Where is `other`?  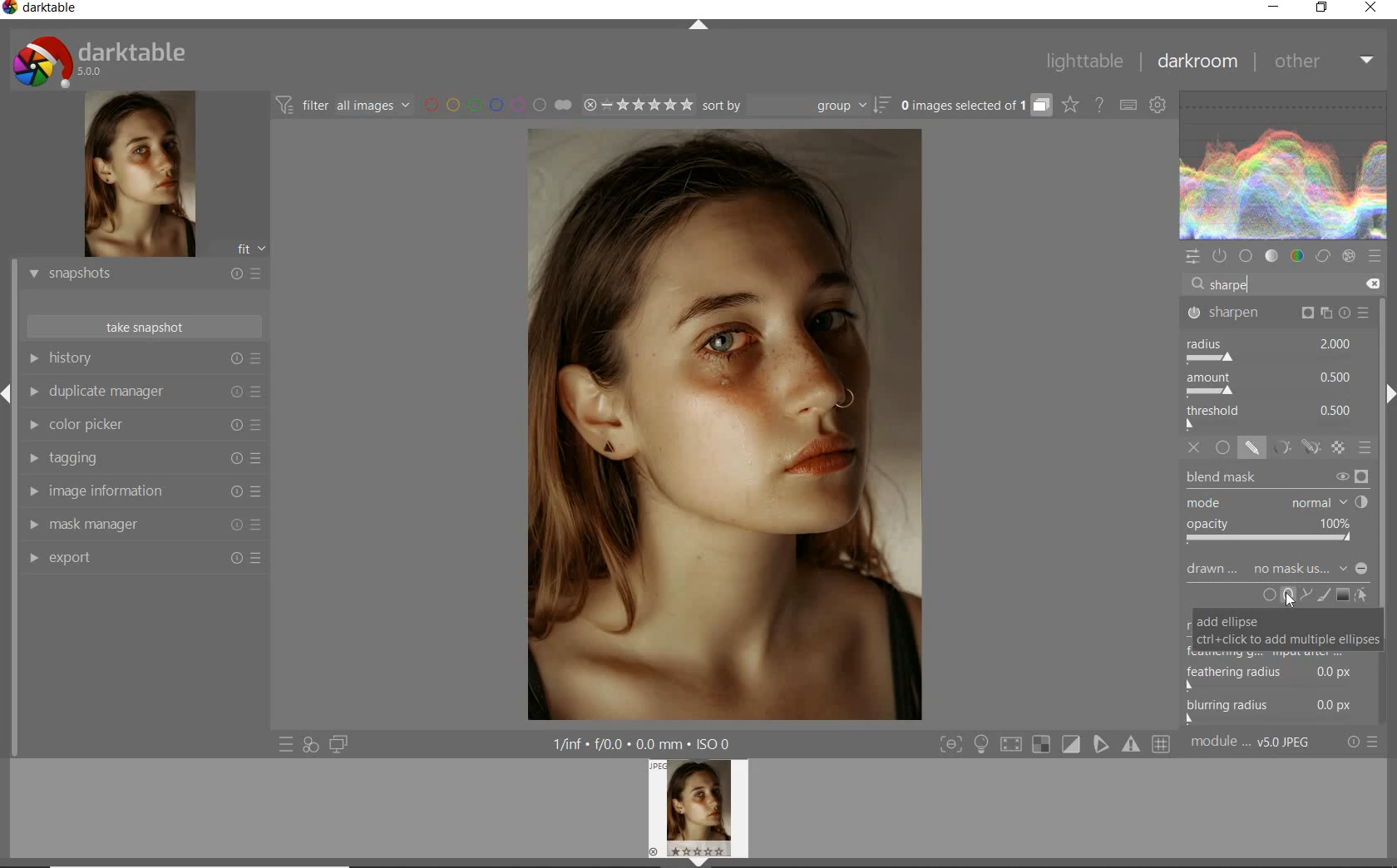
other is located at coordinates (1321, 60).